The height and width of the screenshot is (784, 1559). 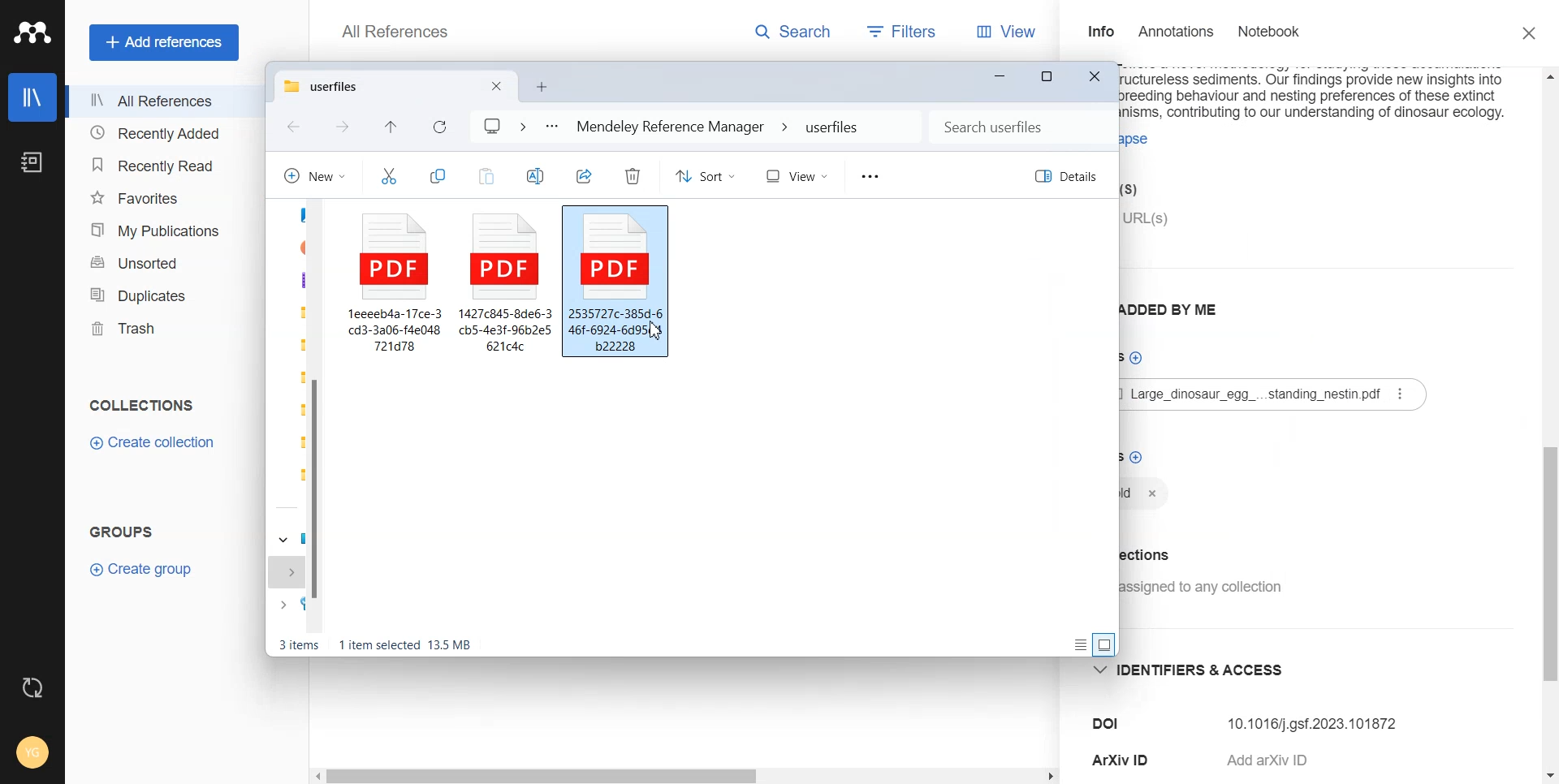 I want to click on Share, so click(x=584, y=176).